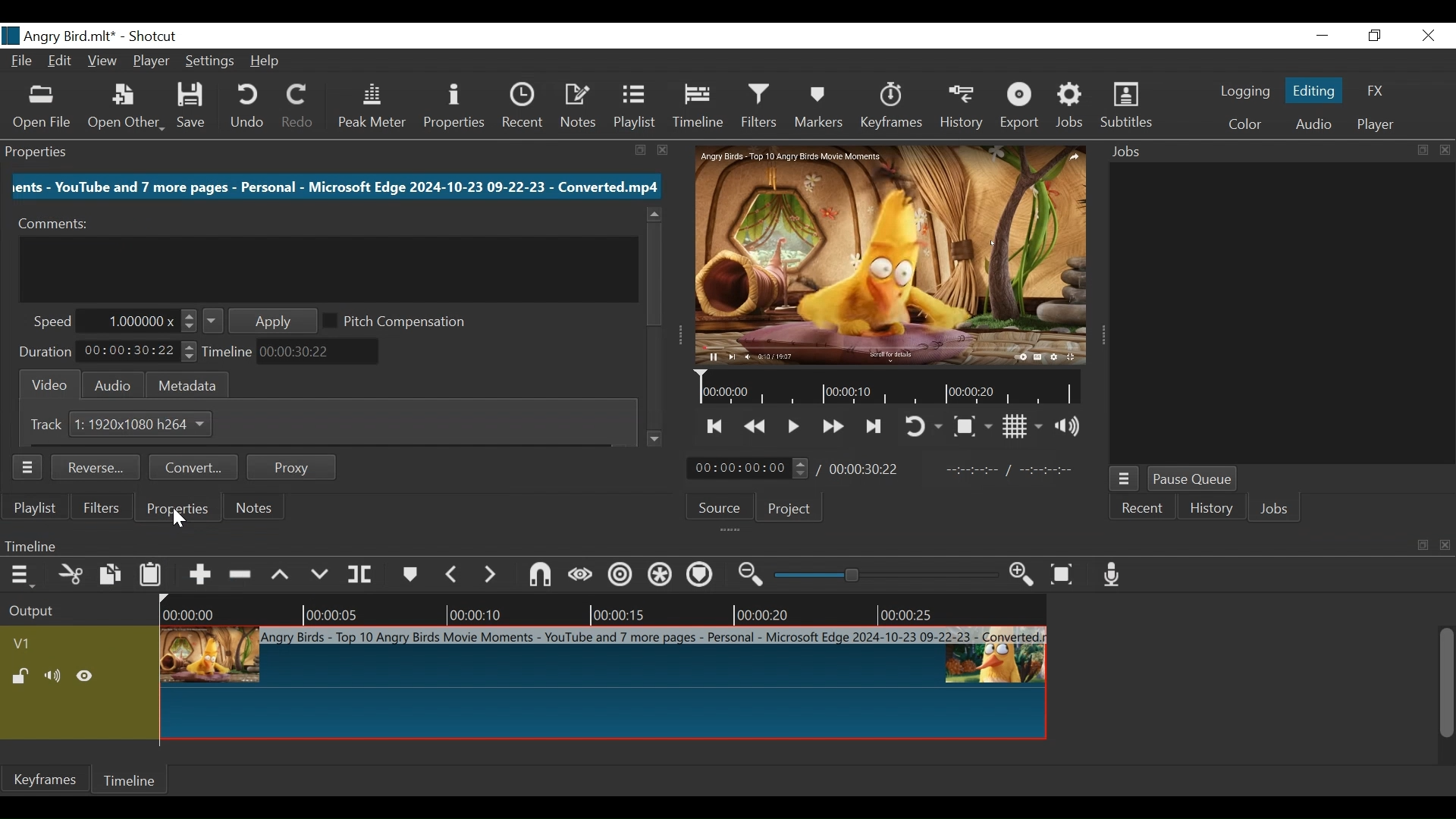  What do you see at coordinates (1313, 91) in the screenshot?
I see `Editing` at bounding box center [1313, 91].